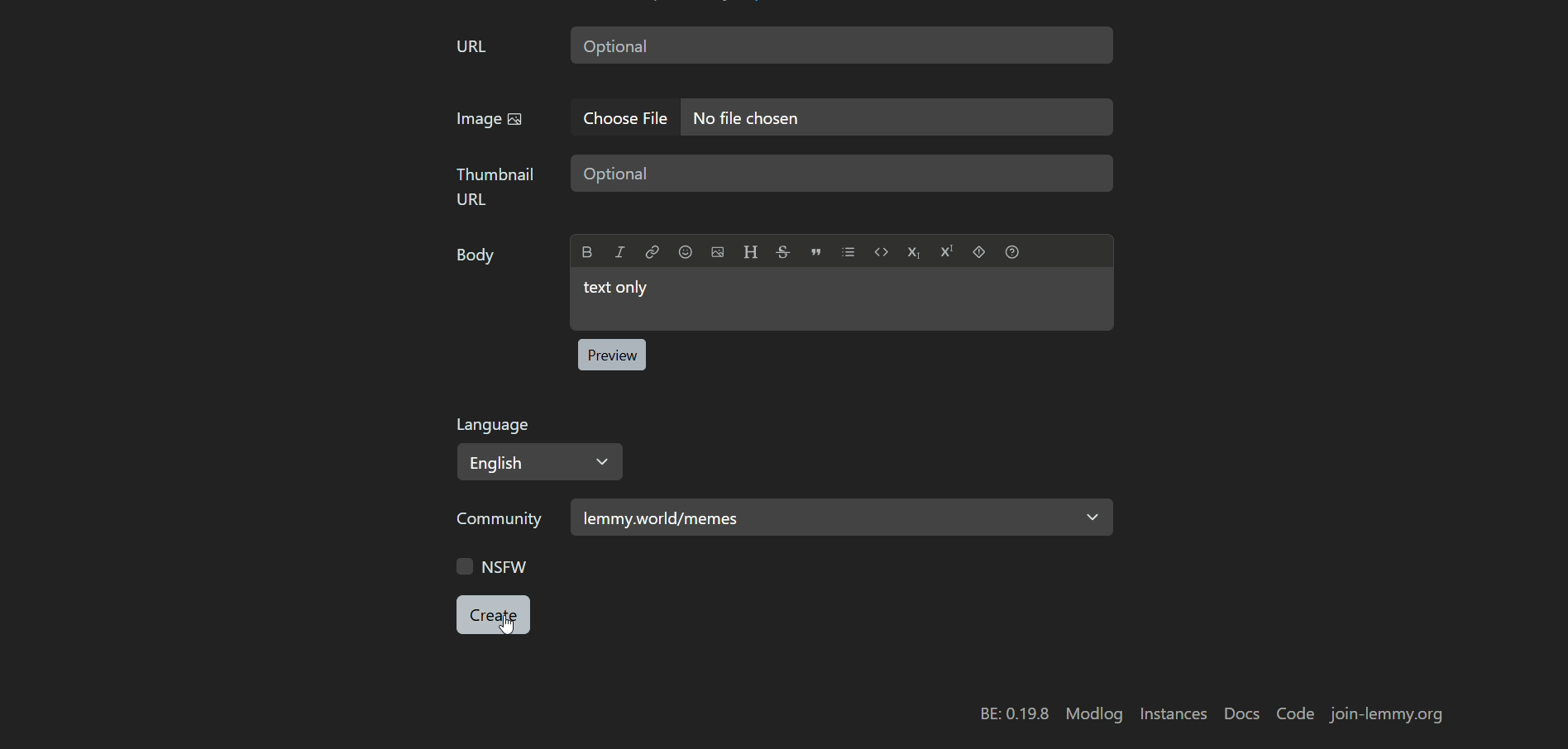  What do you see at coordinates (1012, 251) in the screenshot?
I see `Formatting help` at bounding box center [1012, 251].